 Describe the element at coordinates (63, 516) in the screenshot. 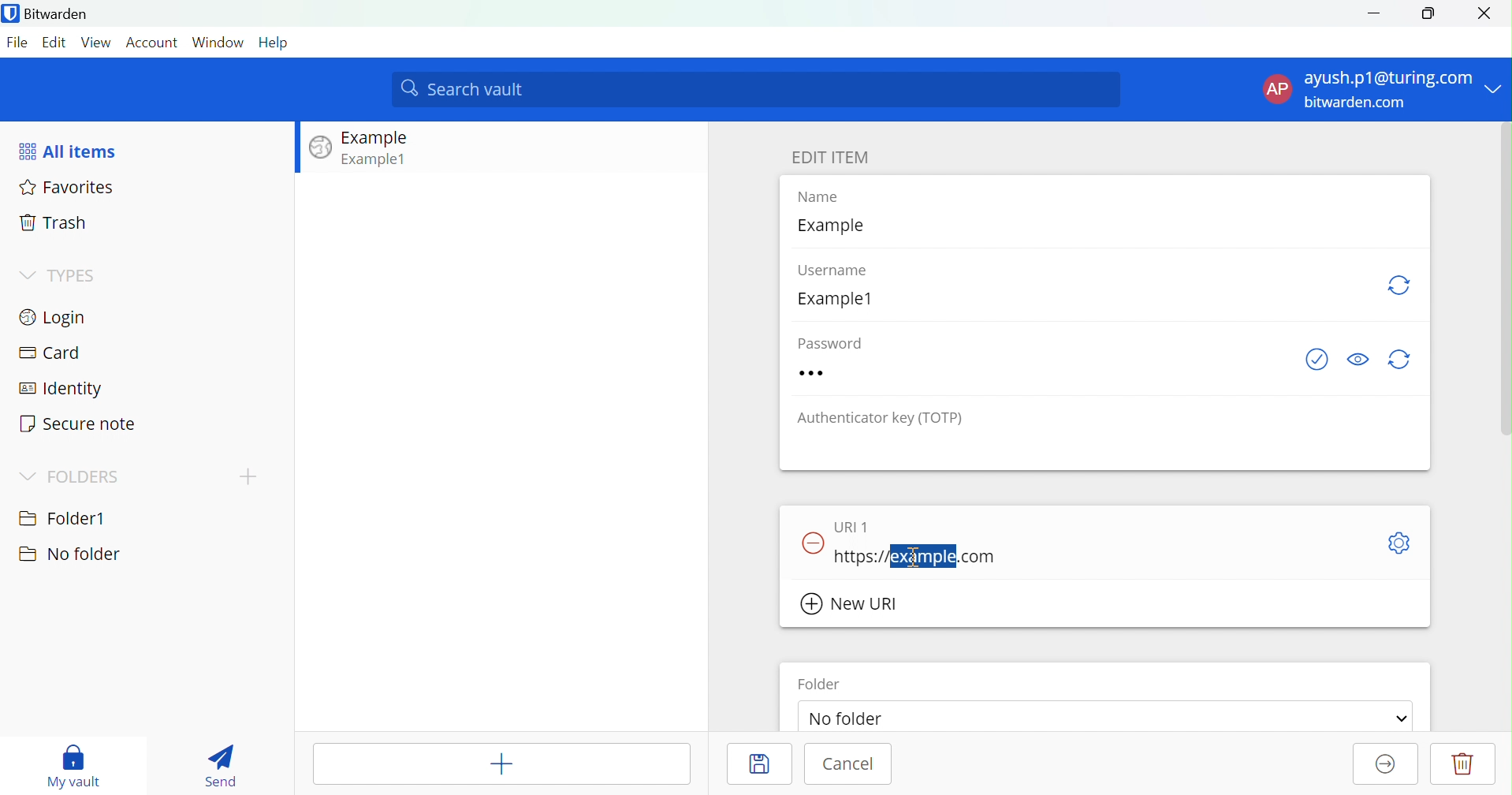

I see `Folder1` at that location.